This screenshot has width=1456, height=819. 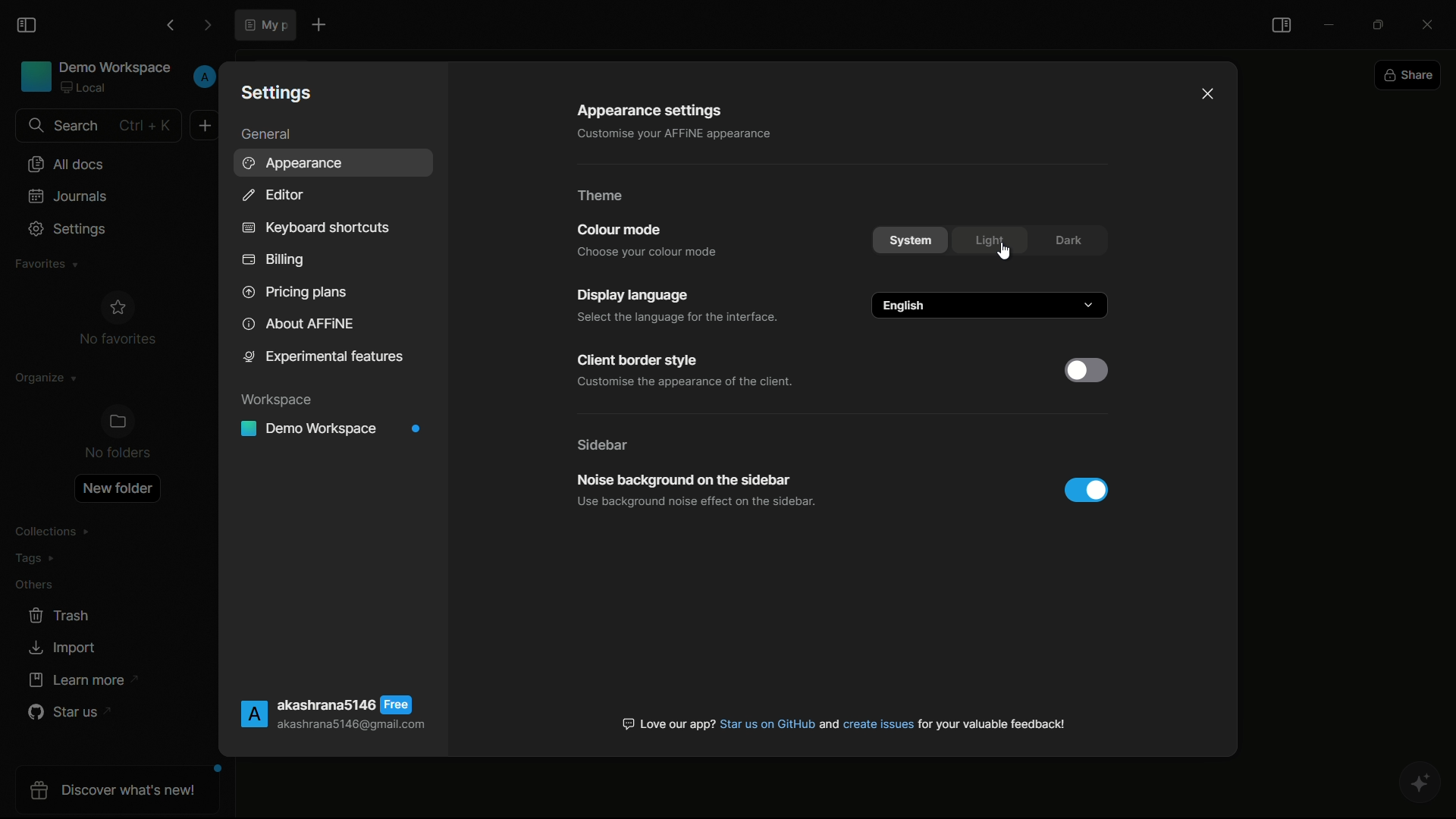 What do you see at coordinates (1209, 95) in the screenshot?
I see `close` at bounding box center [1209, 95].